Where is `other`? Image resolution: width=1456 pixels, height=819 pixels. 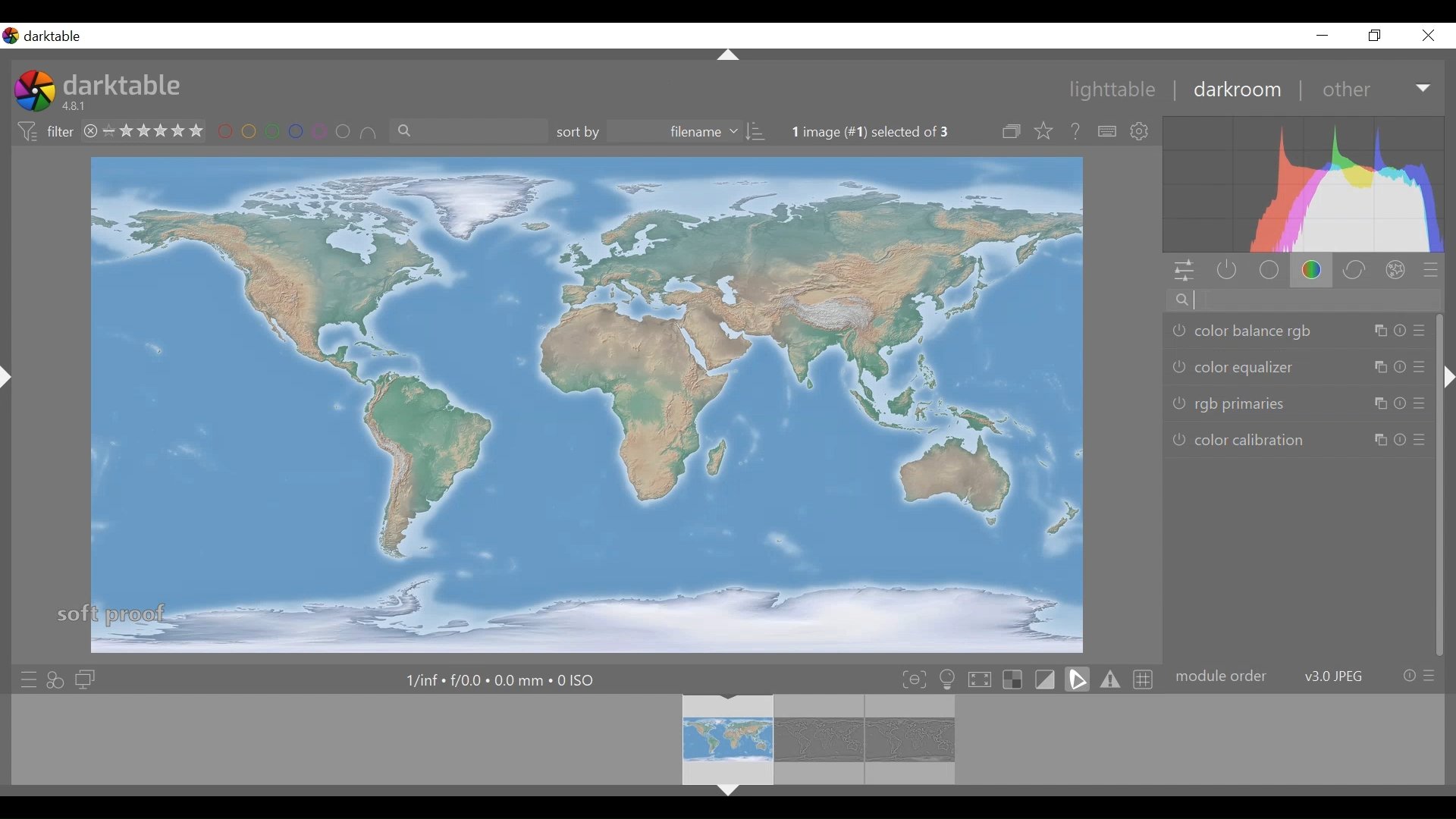
other is located at coordinates (1373, 89).